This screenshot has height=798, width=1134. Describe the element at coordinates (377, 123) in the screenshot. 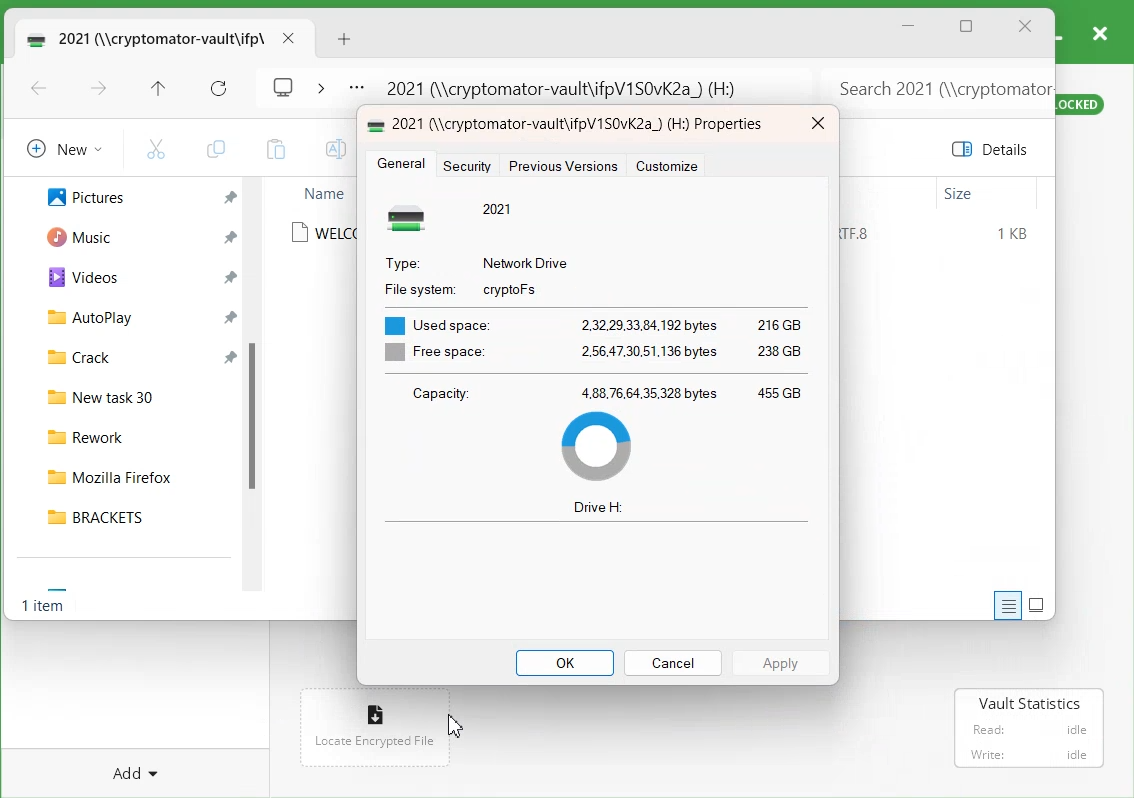

I see `Icon` at that location.